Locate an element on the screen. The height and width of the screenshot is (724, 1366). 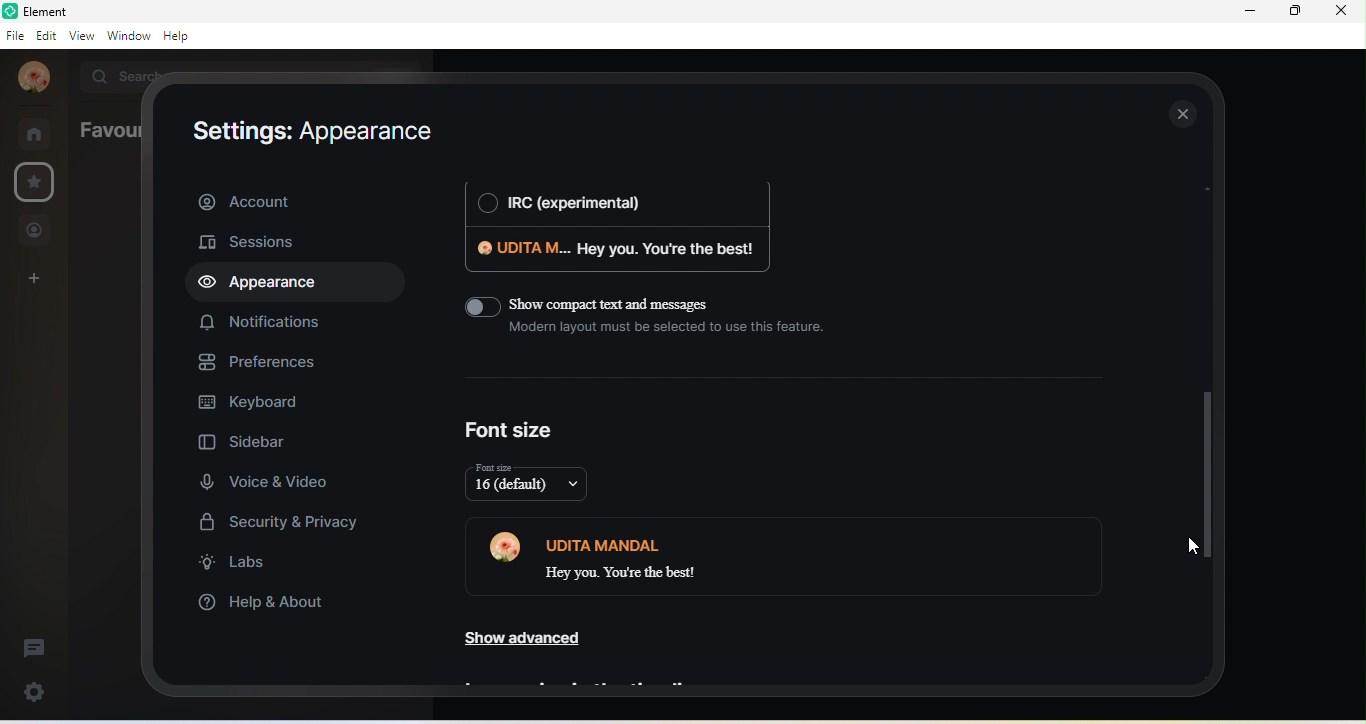
quick settings is located at coordinates (38, 690).